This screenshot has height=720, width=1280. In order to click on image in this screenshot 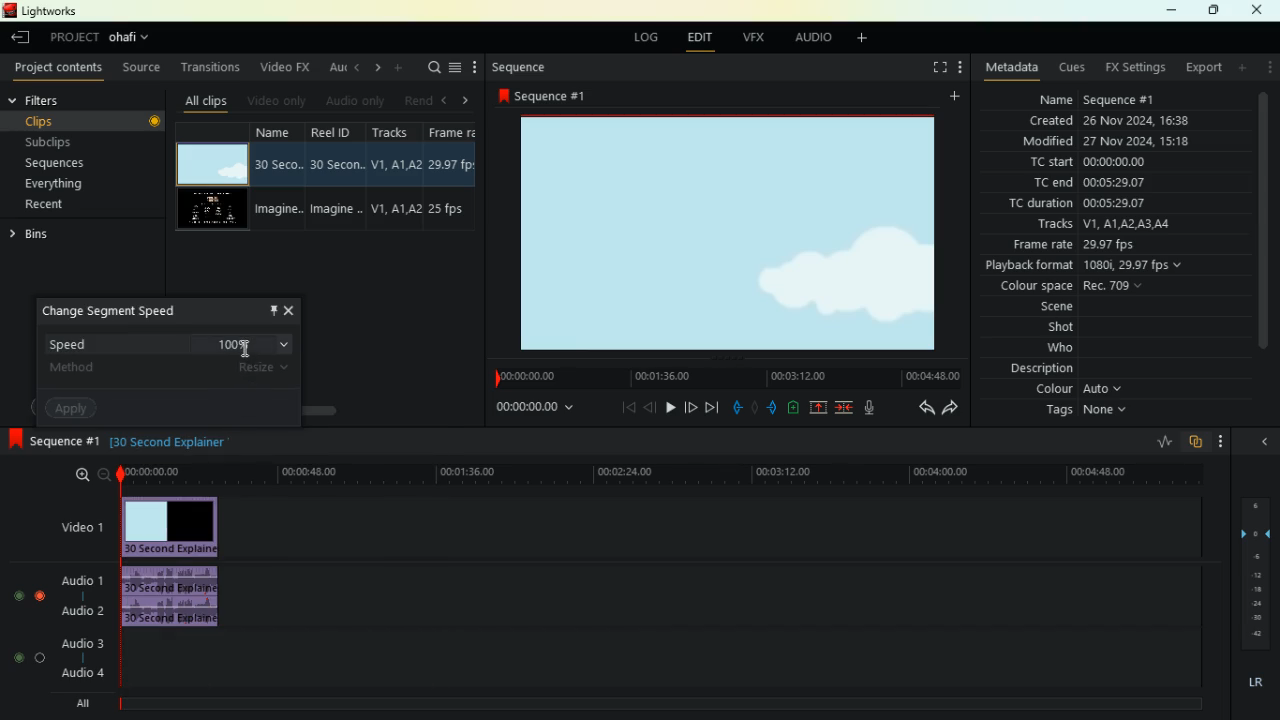, I will do `click(731, 232)`.